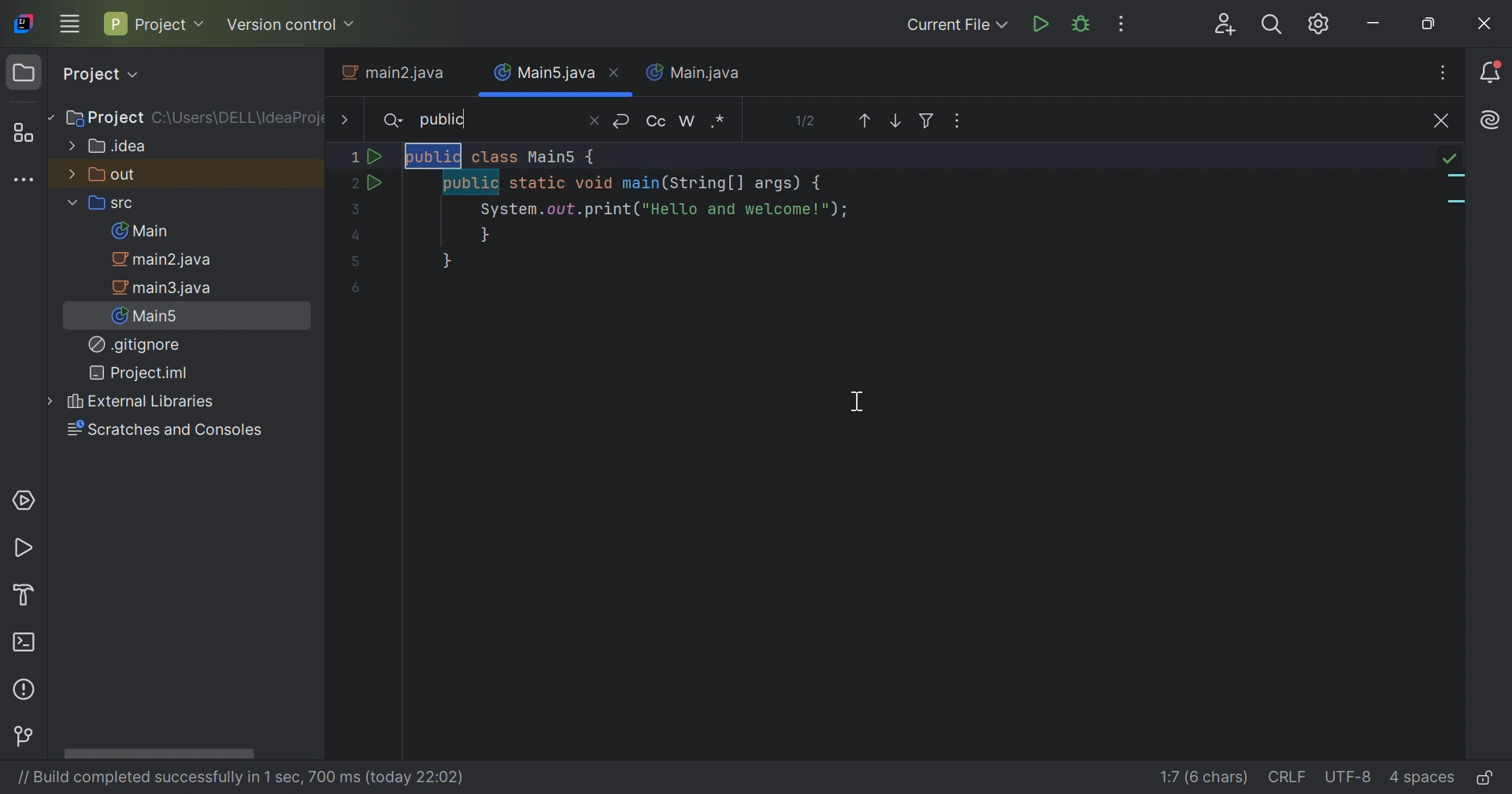 The image size is (1512, 794). What do you see at coordinates (632, 210) in the screenshot?
I see `java program to print "Hello and Welcome" with highlighted word` at bounding box center [632, 210].